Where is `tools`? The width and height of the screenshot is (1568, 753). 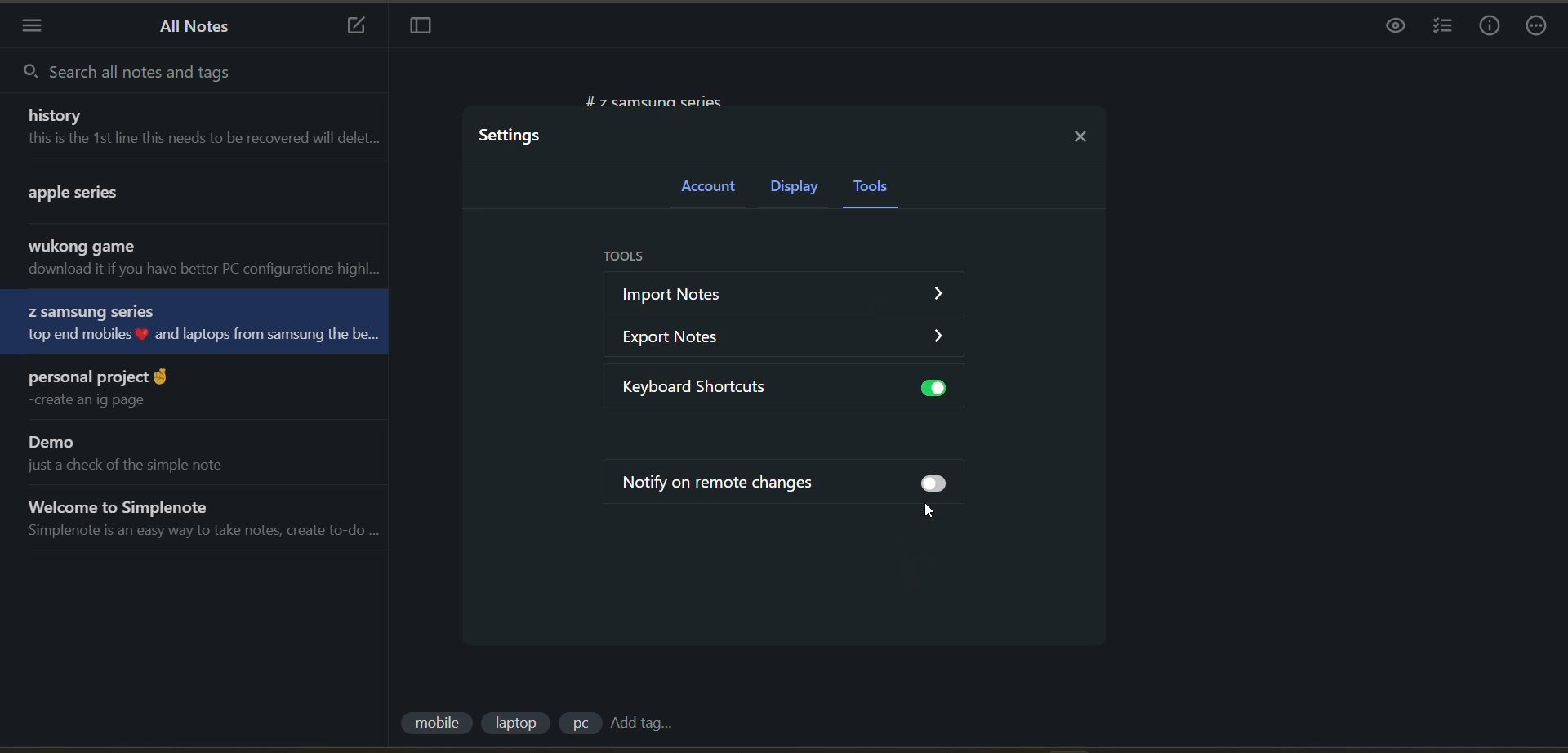
tools is located at coordinates (871, 185).